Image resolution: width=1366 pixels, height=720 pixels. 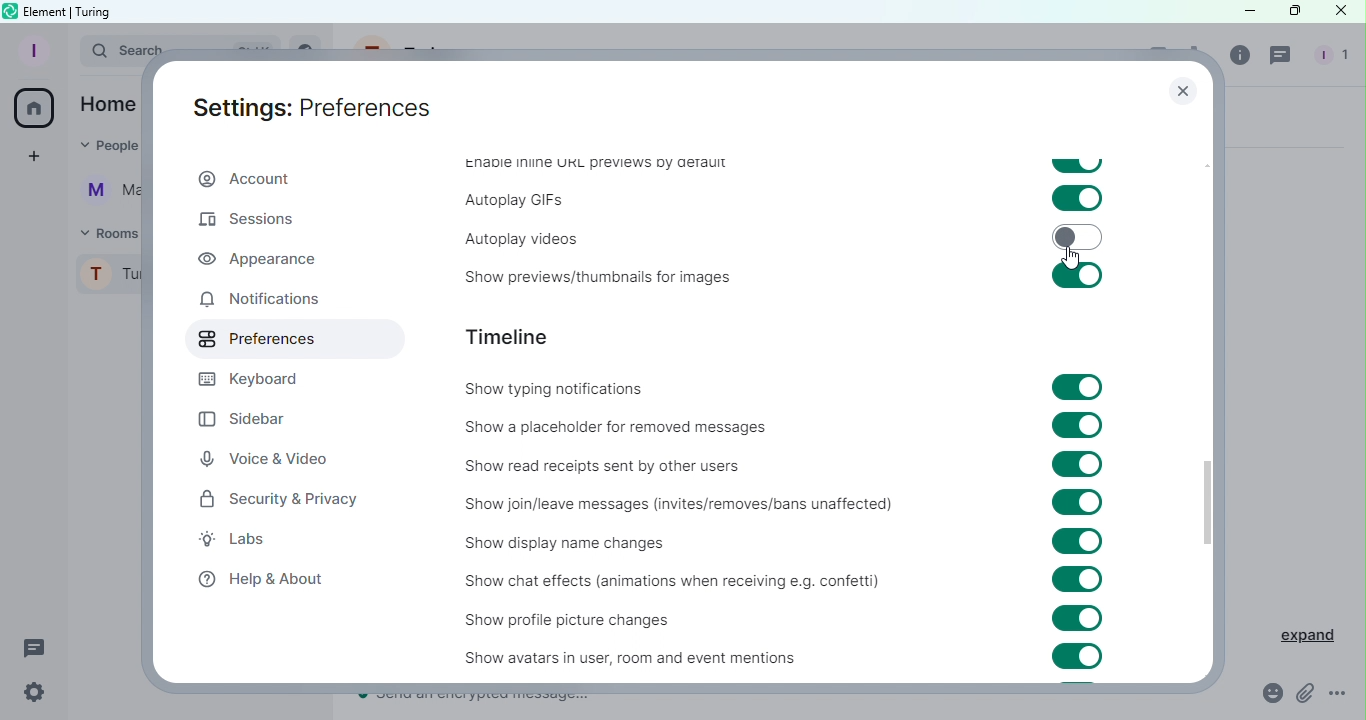 I want to click on Martina Tornello, so click(x=106, y=195).